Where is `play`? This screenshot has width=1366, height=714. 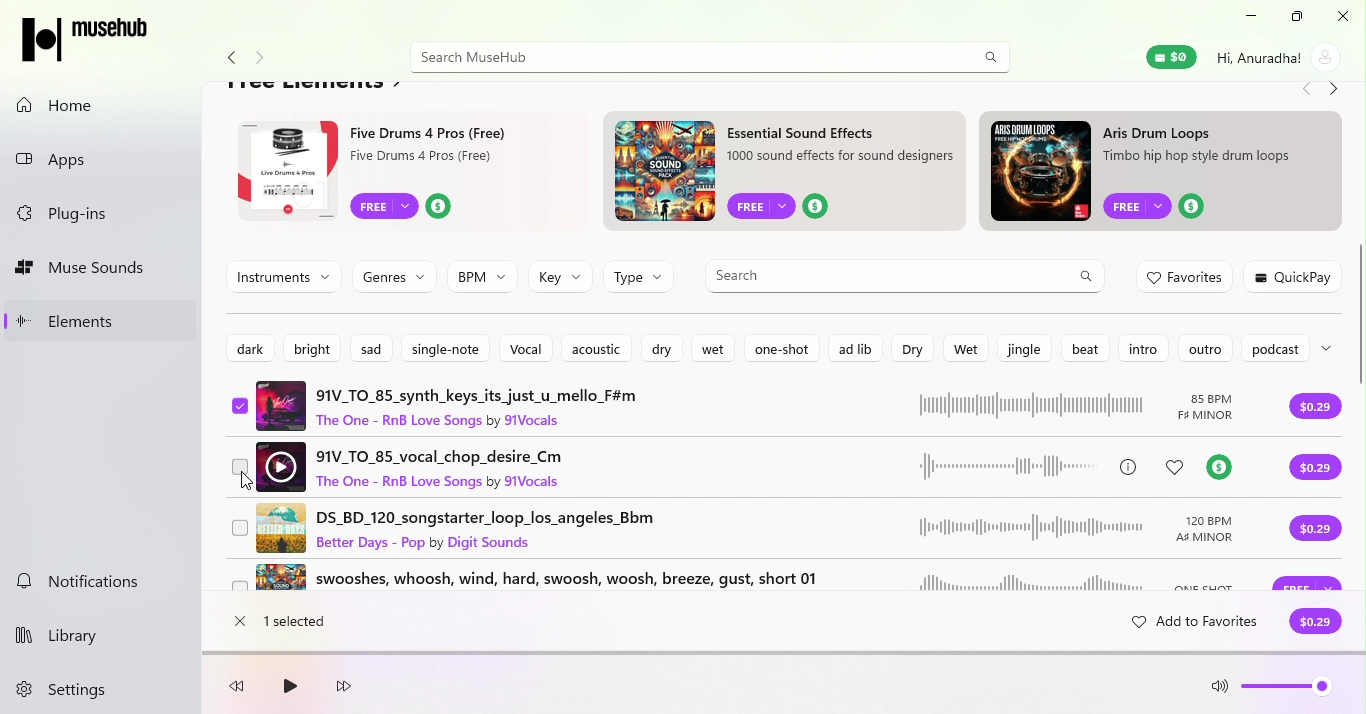
play is located at coordinates (288, 688).